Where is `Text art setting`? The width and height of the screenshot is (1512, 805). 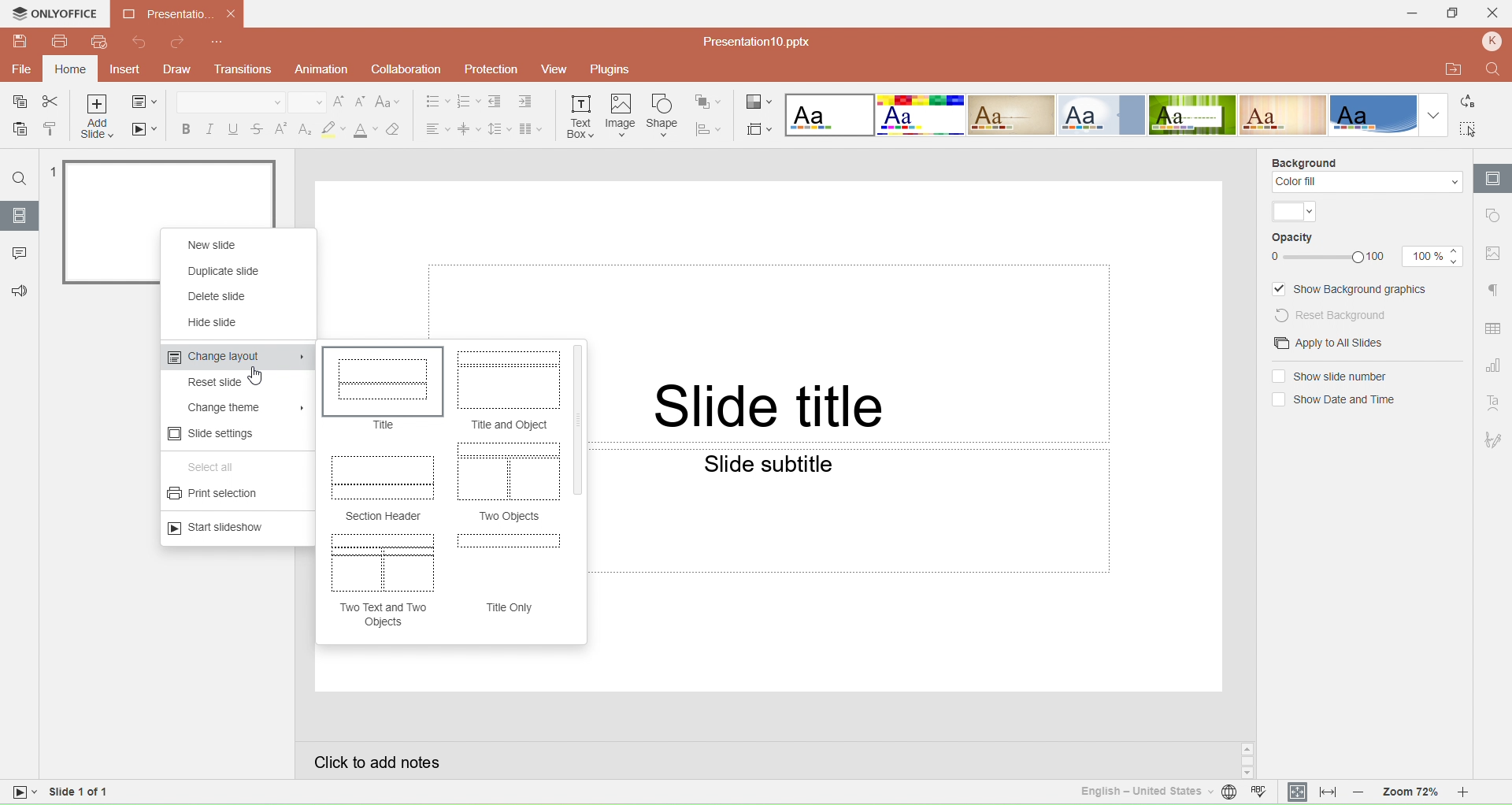 Text art setting is located at coordinates (1494, 403).